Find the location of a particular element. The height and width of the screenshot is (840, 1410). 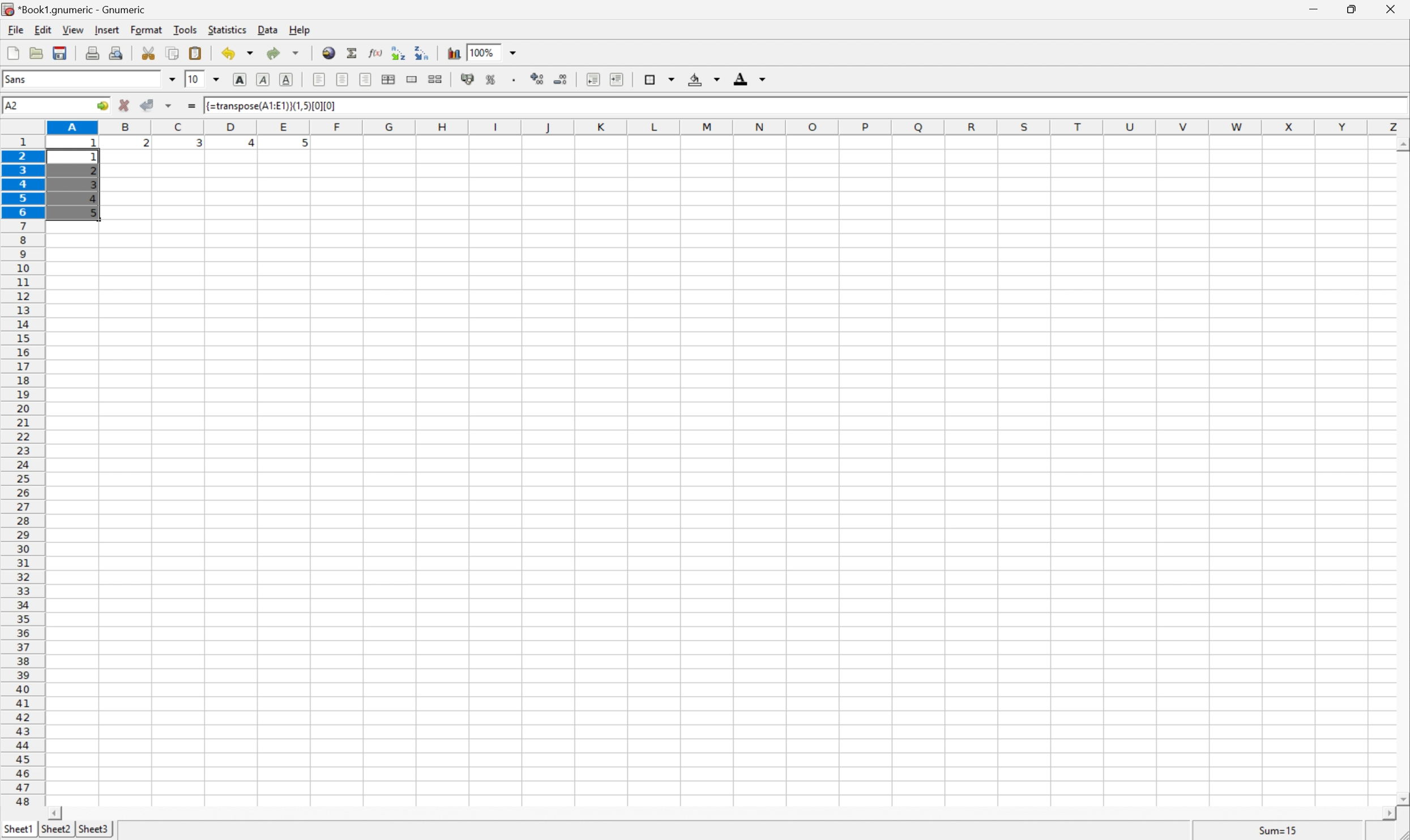

drop down is located at coordinates (514, 53).